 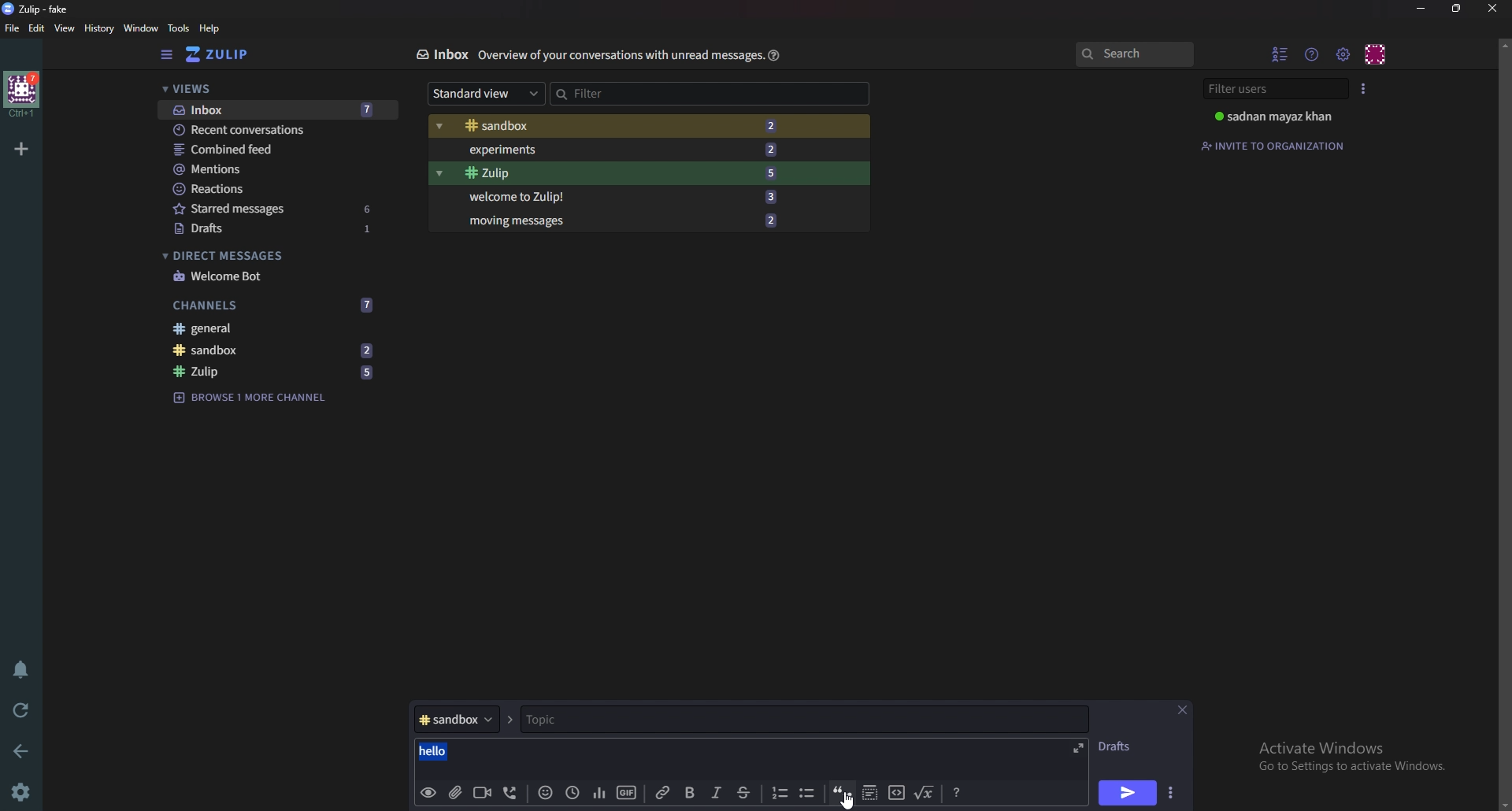 What do you see at coordinates (180, 29) in the screenshot?
I see `Tools` at bounding box center [180, 29].